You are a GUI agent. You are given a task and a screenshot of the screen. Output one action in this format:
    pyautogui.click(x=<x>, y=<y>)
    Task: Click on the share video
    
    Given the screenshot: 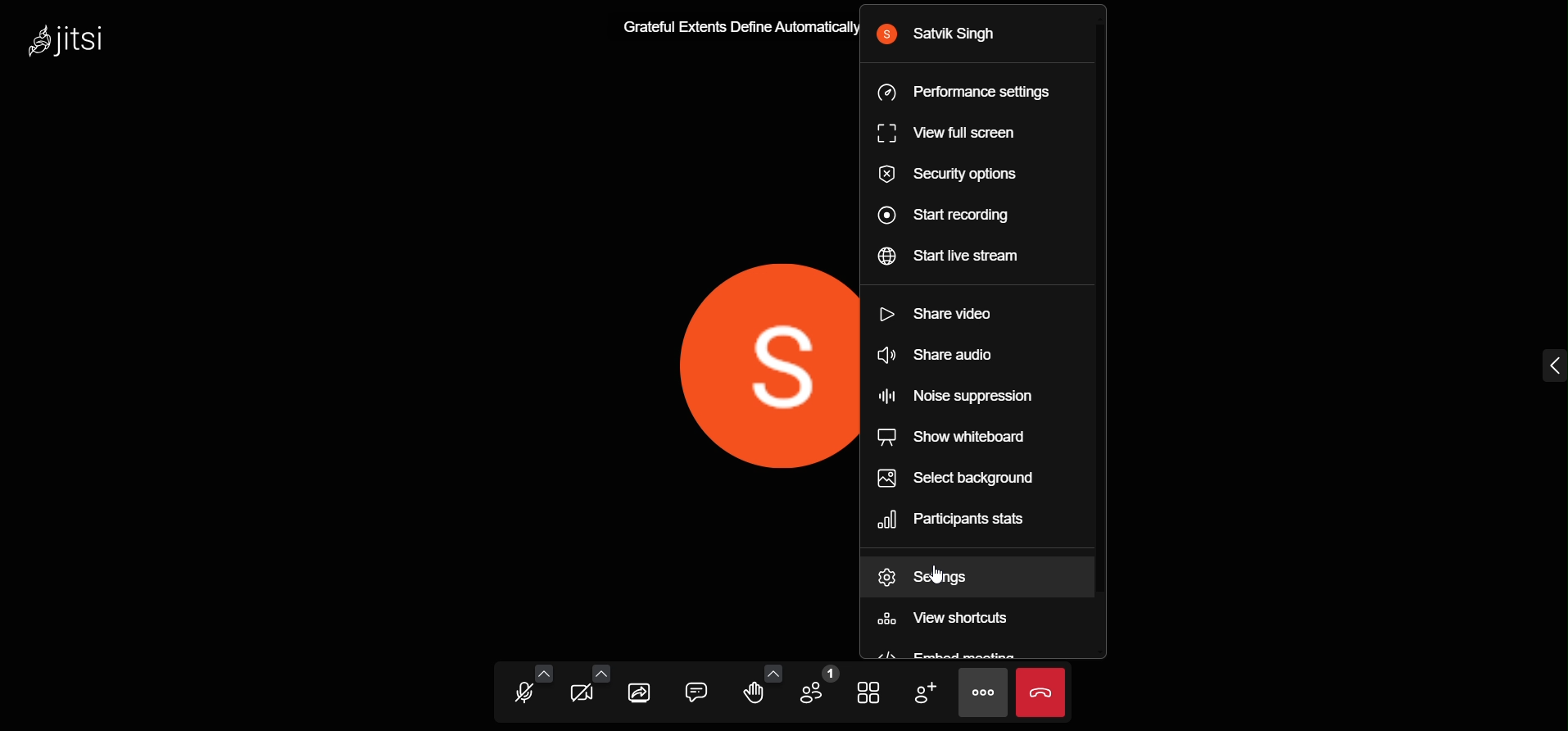 What is the action you would take?
    pyautogui.click(x=940, y=311)
    